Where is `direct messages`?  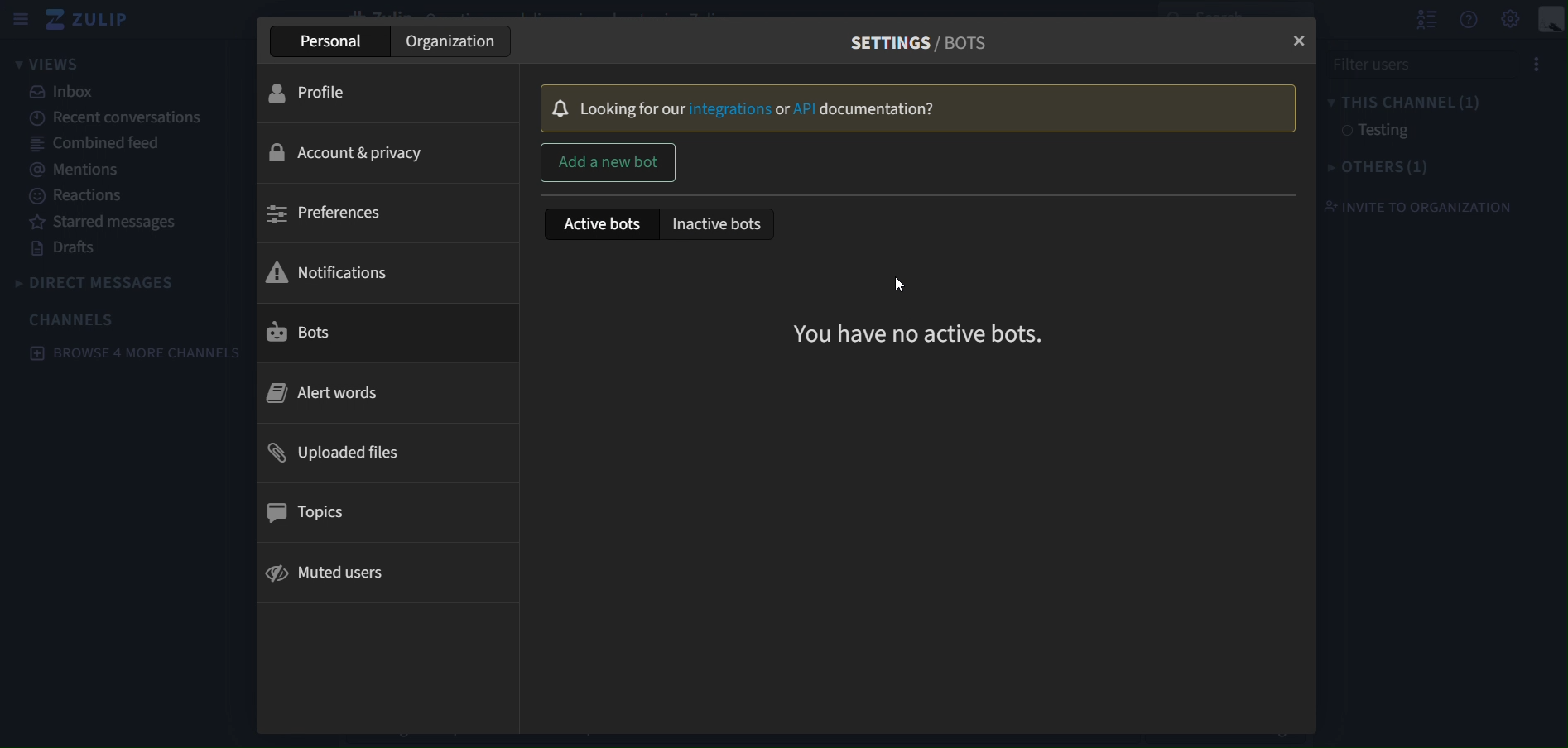
direct messages is located at coordinates (98, 280).